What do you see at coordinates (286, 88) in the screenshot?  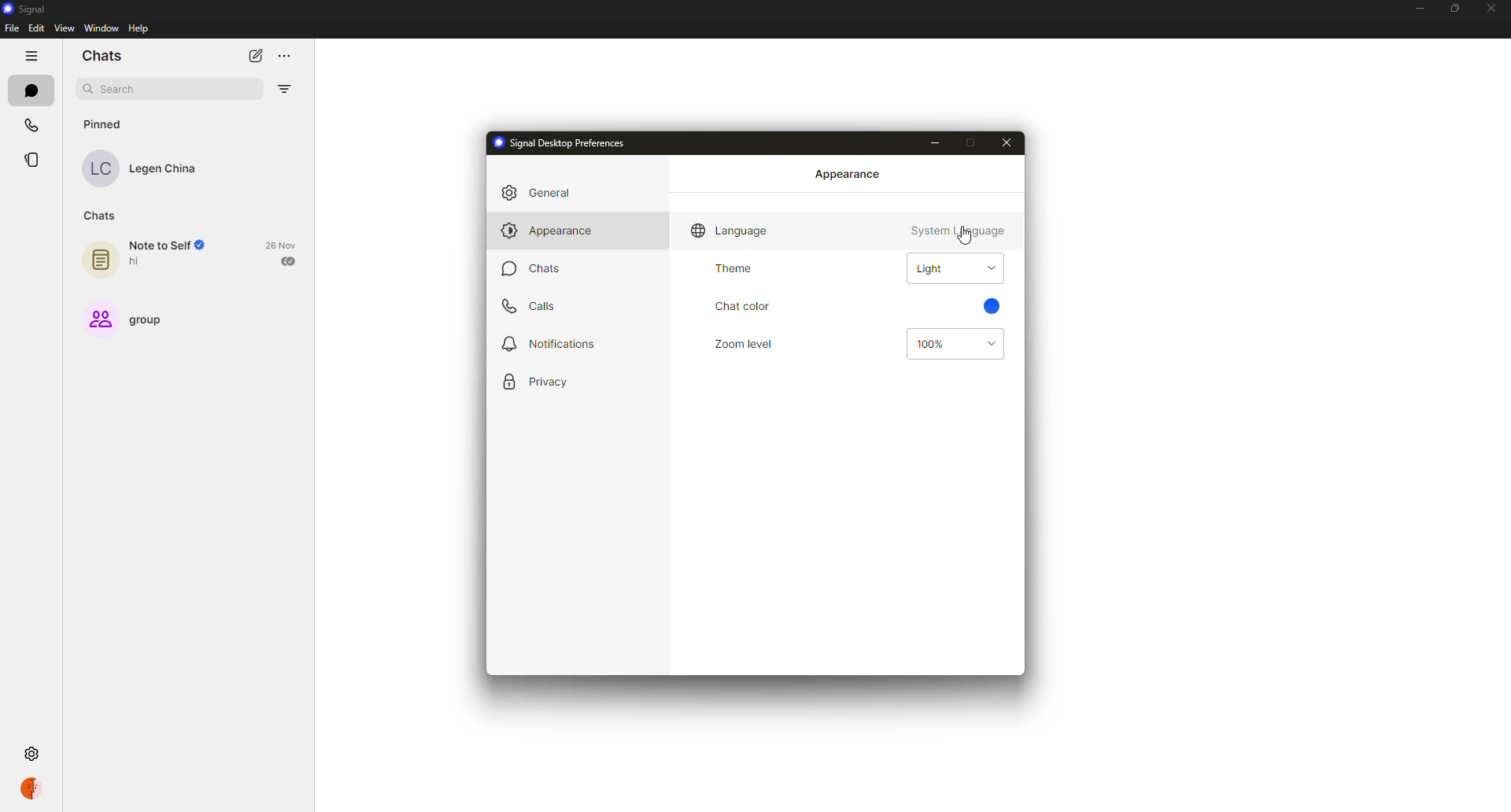 I see `filter` at bounding box center [286, 88].